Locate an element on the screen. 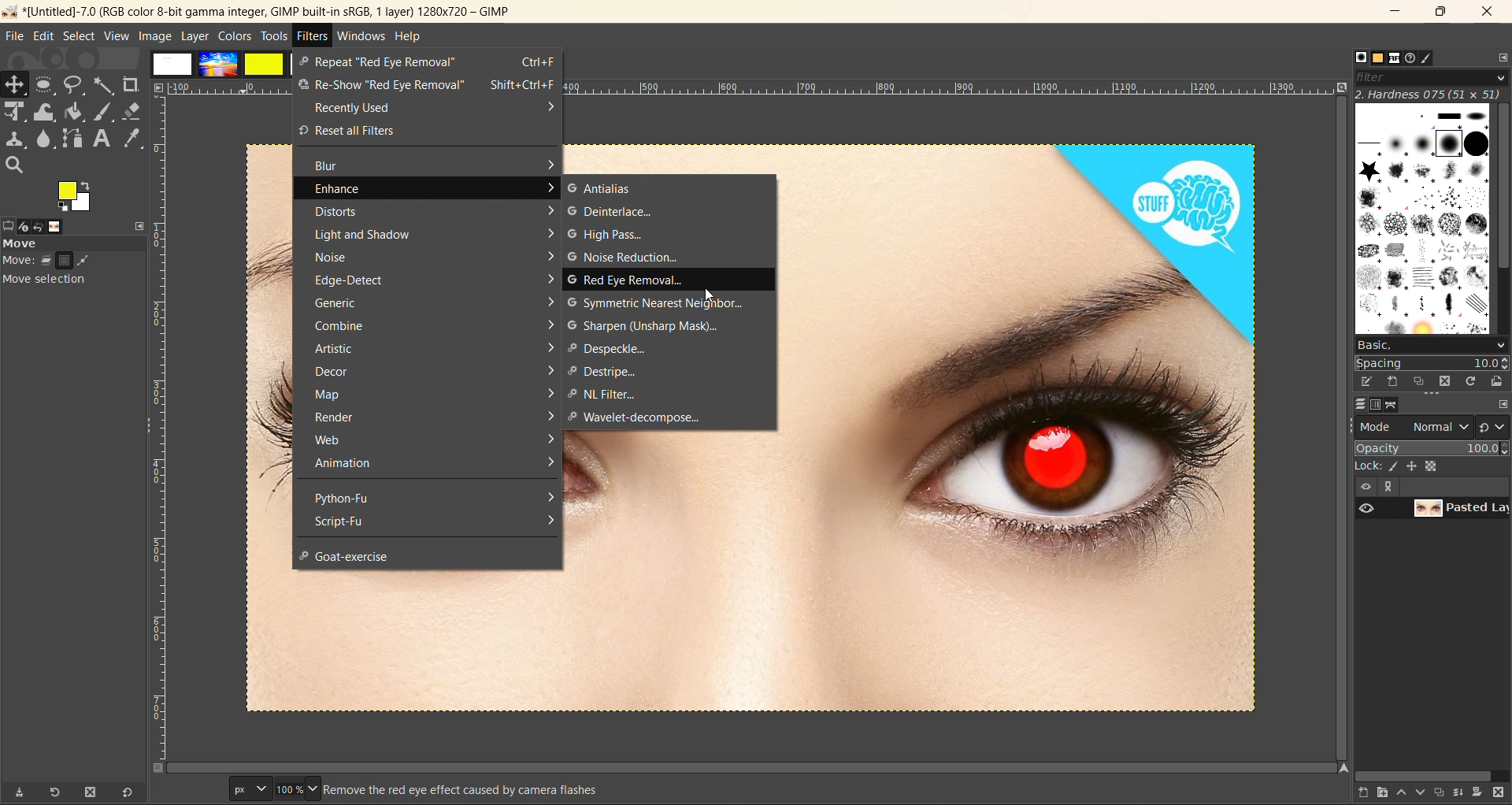 The height and width of the screenshot is (805, 1512). path tool is located at coordinates (72, 138).